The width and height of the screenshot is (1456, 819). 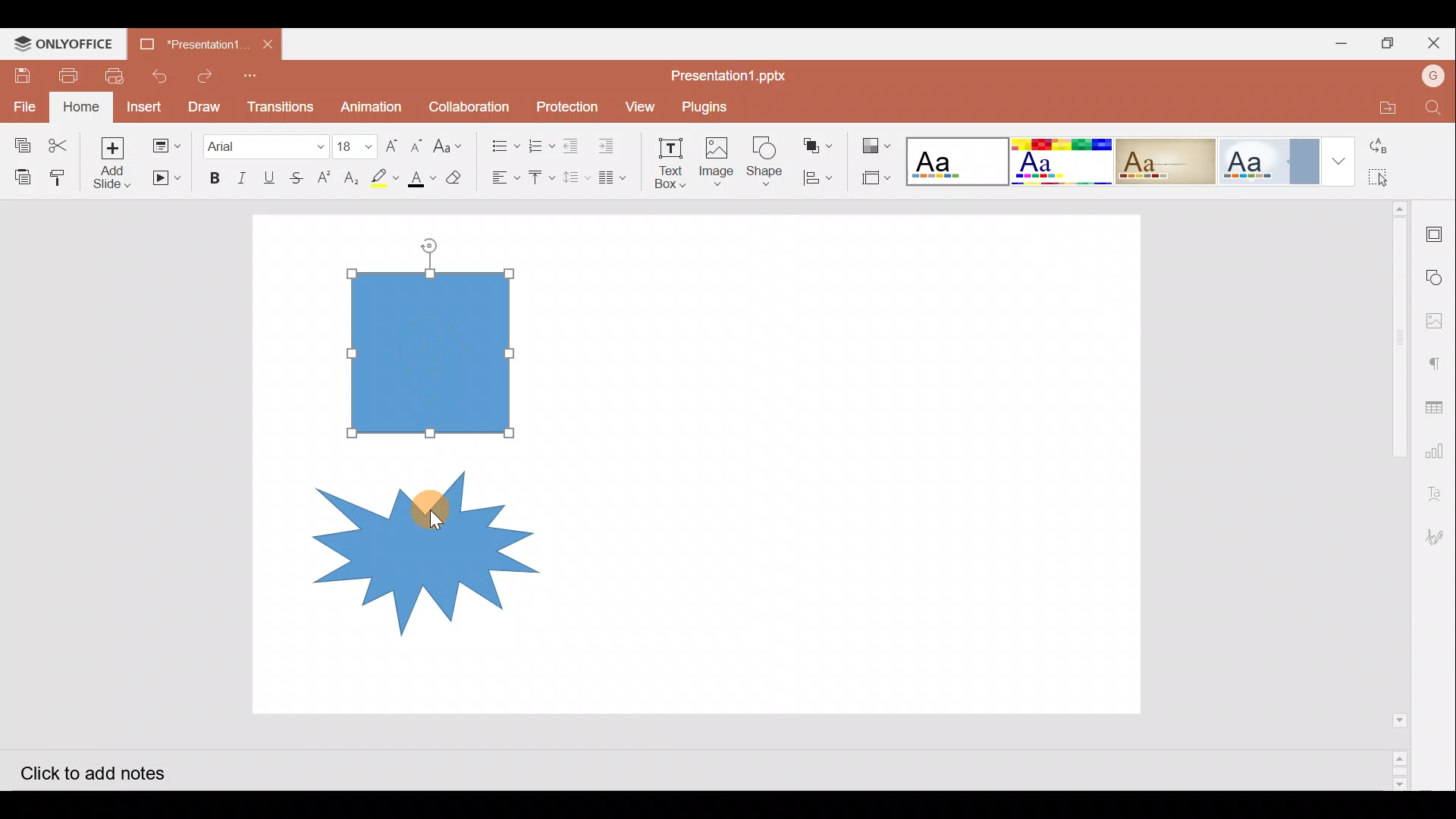 What do you see at coordinates (1437, 497) in the screenshot?
I see `Text Art settings` at bounding box center [1437, 497].